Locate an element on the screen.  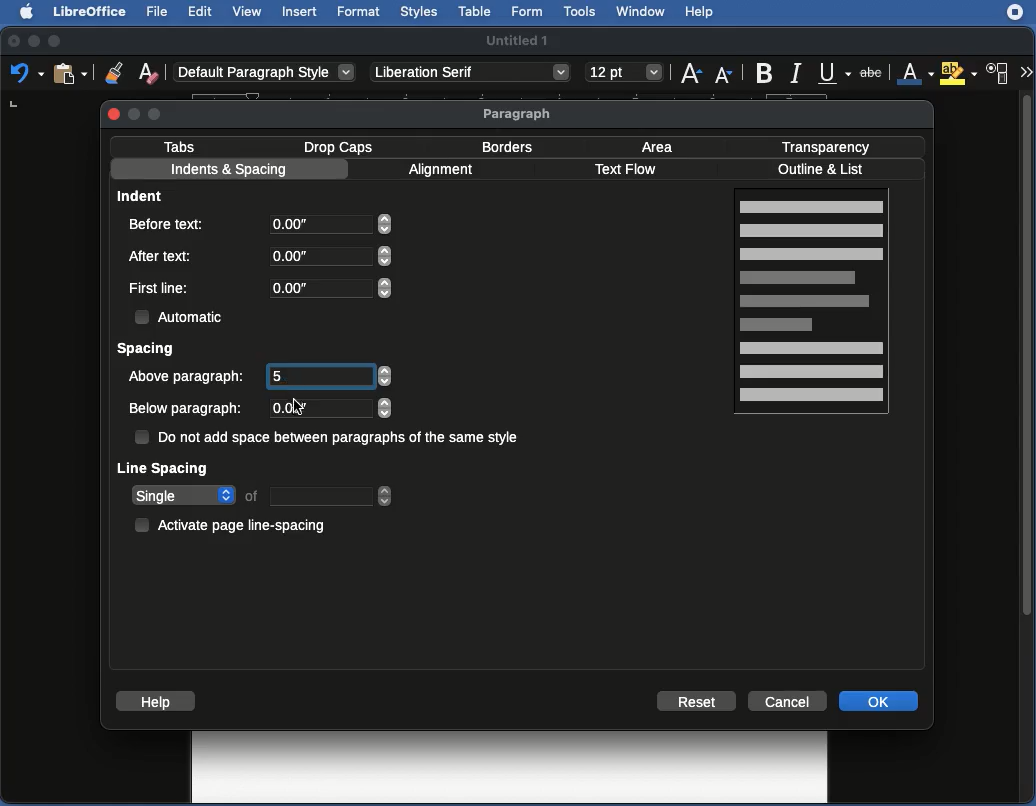
More is located at coordinates (1025, 70).